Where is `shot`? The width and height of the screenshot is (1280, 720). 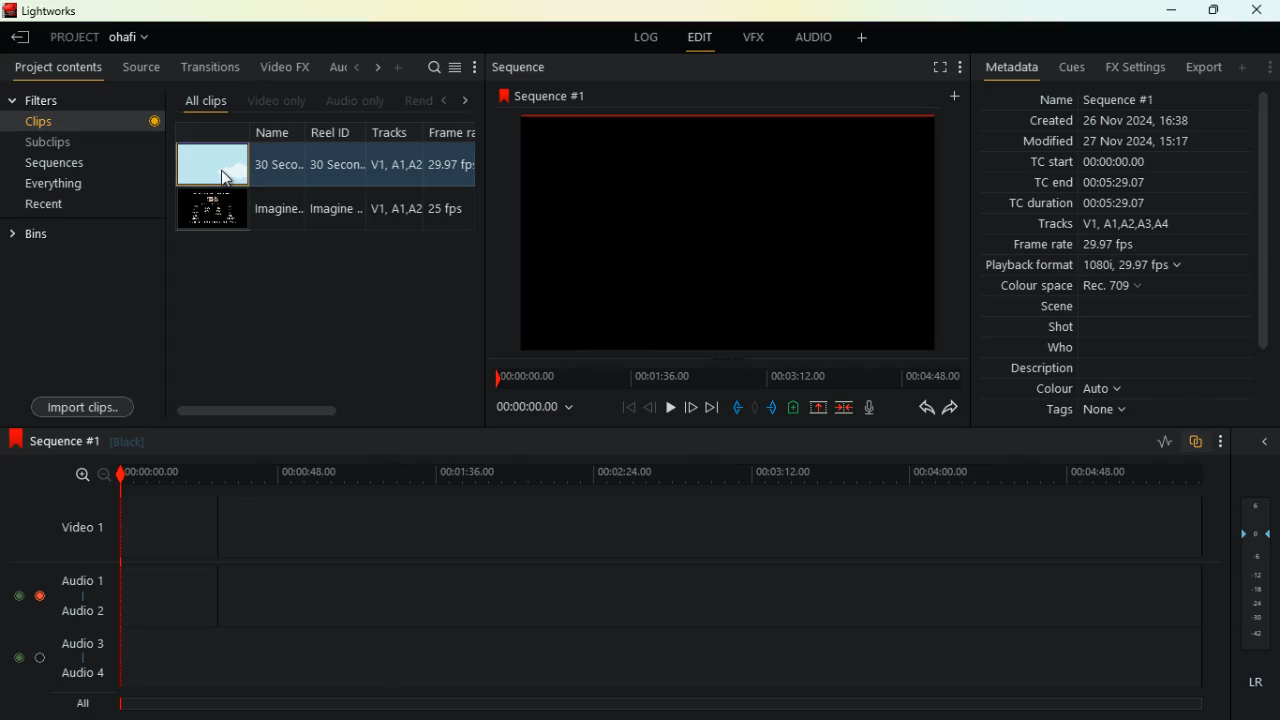 shot is located at coordinates (1062, 329).